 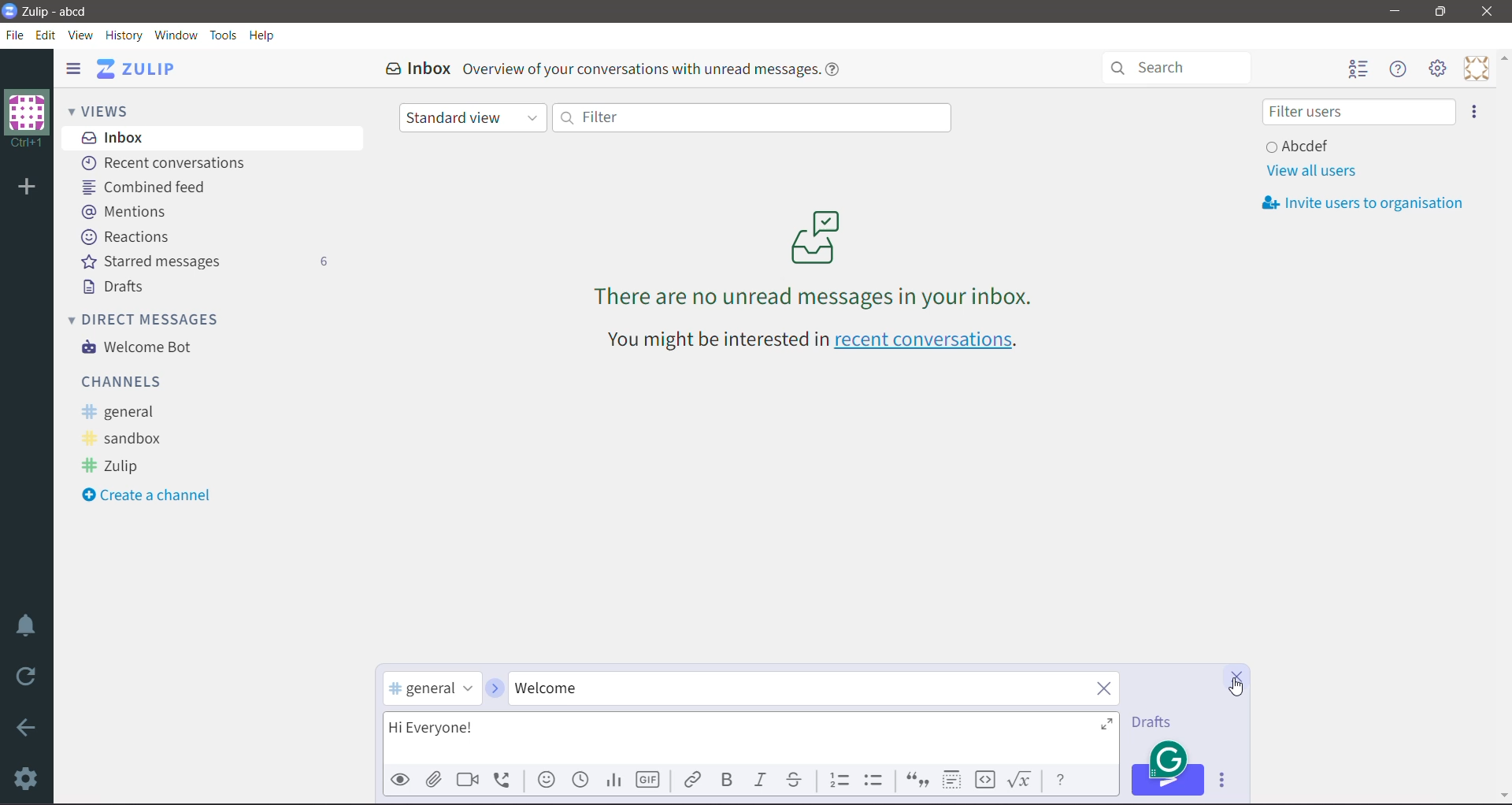 What do you see at coordinates (750, 117) in the screenshot?
I see `Filter` at bounding box center [750, 117].